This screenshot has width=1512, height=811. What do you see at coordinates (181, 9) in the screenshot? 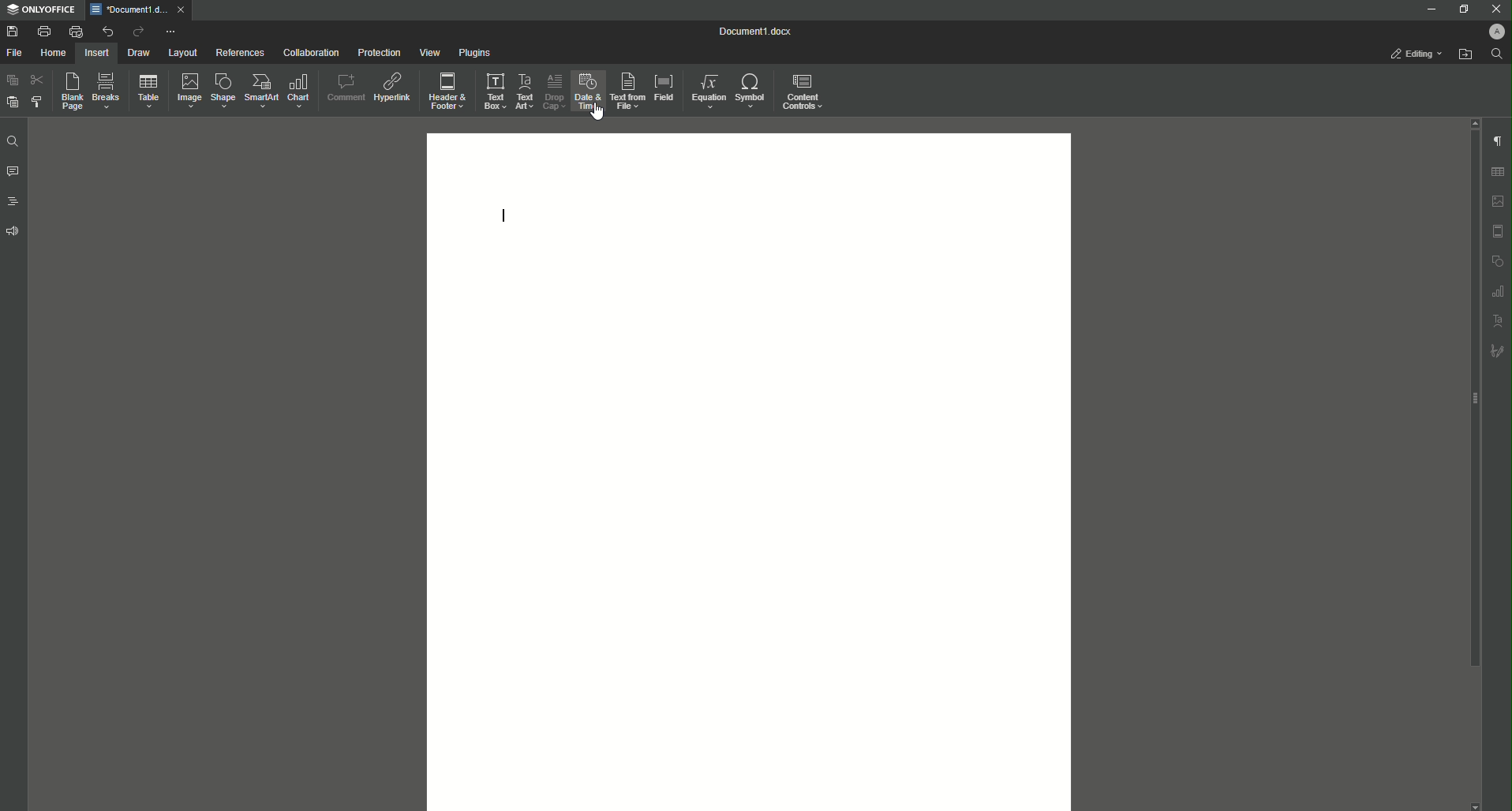
I see `close` at bounding box center [181, 9].